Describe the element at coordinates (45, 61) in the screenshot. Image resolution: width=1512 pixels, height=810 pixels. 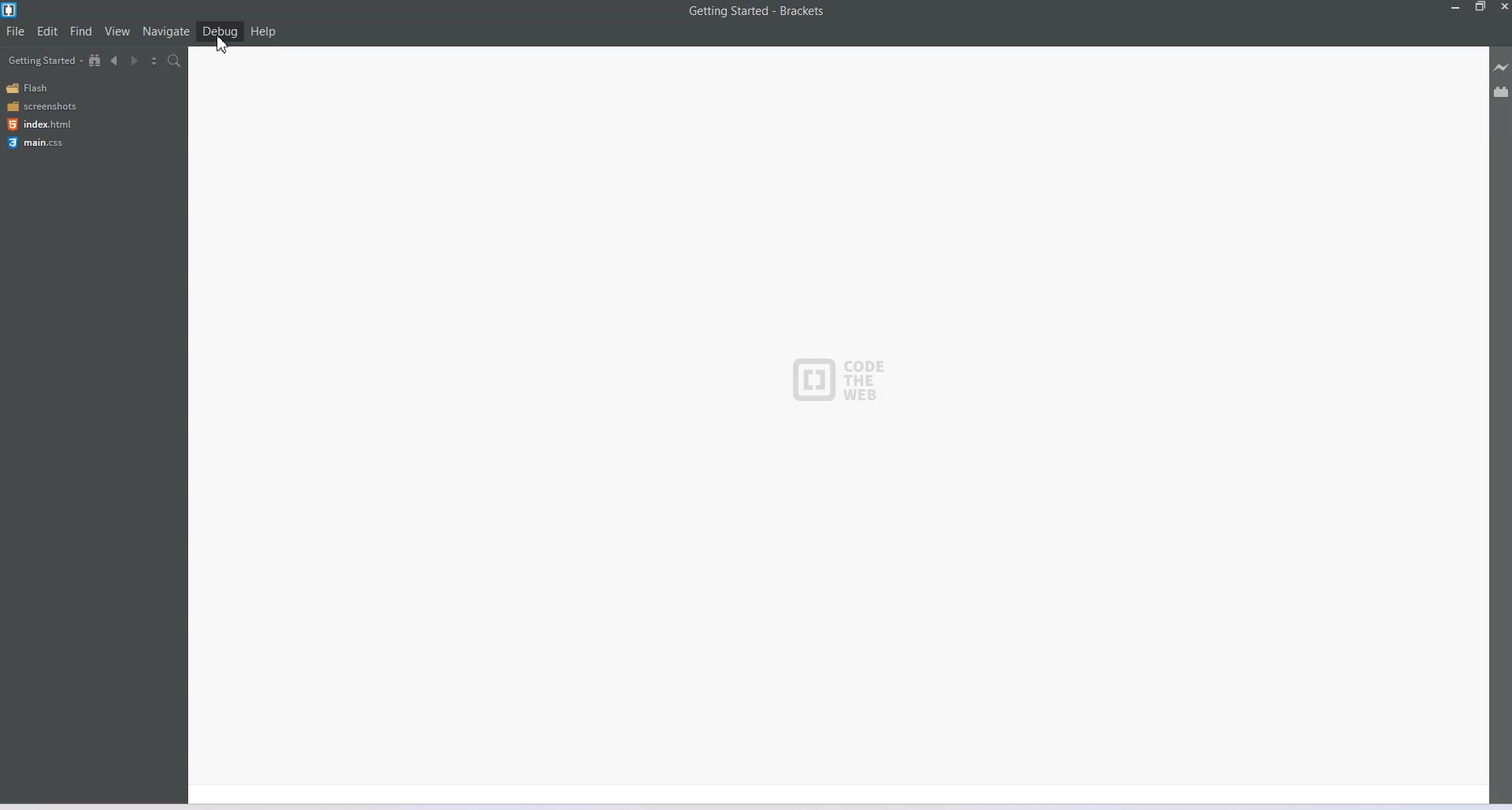
I see `Getting Started` at that location.